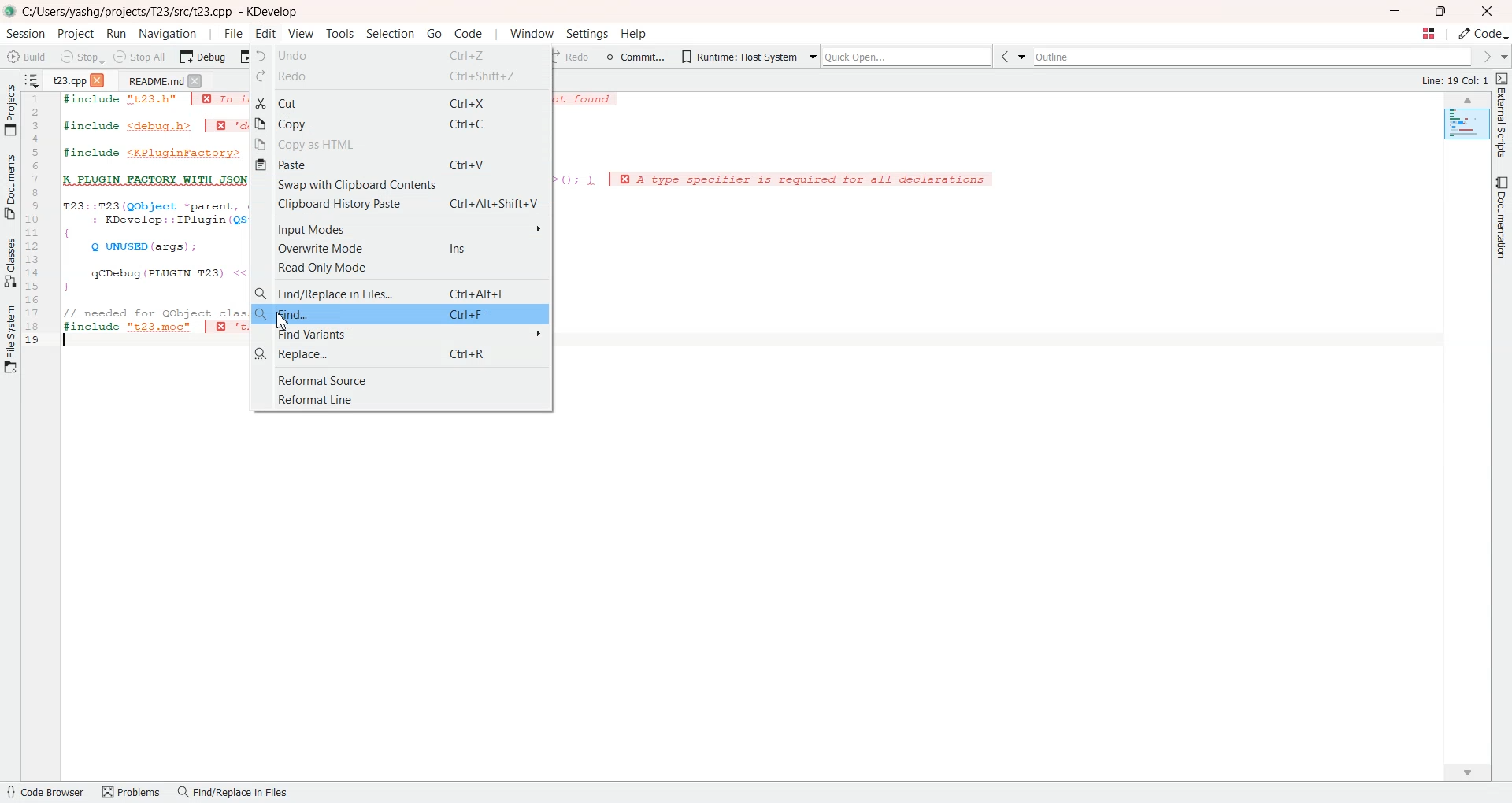  What do you see at coordinates (402, 54) in the screenshot?
I see `Undo` at bounding box center [402, 54].